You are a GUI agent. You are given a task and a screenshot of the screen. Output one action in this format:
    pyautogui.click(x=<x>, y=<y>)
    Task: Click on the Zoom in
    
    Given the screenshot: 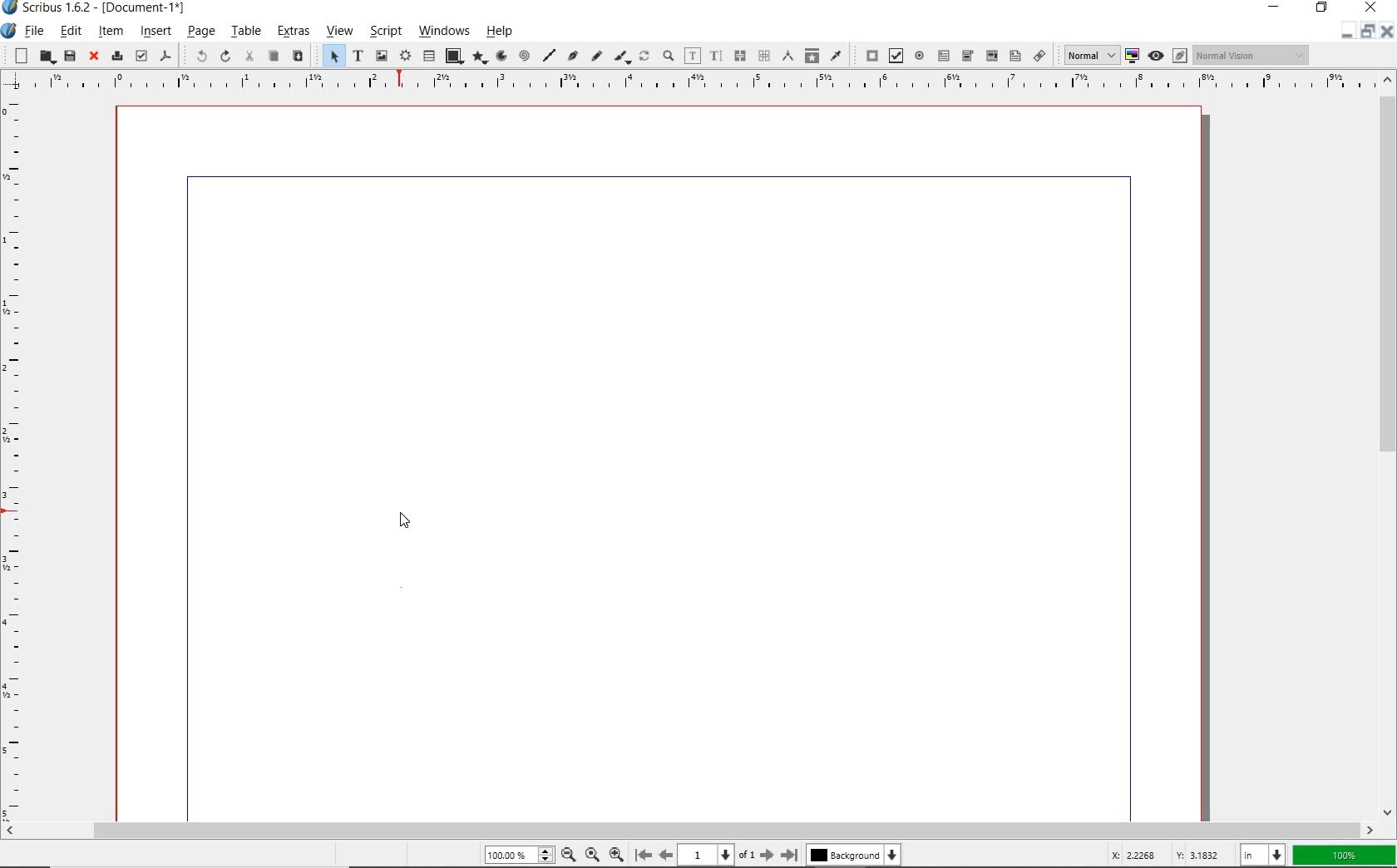 What is the action you would take?
    pyautogui.click(x=616, y=853)
    